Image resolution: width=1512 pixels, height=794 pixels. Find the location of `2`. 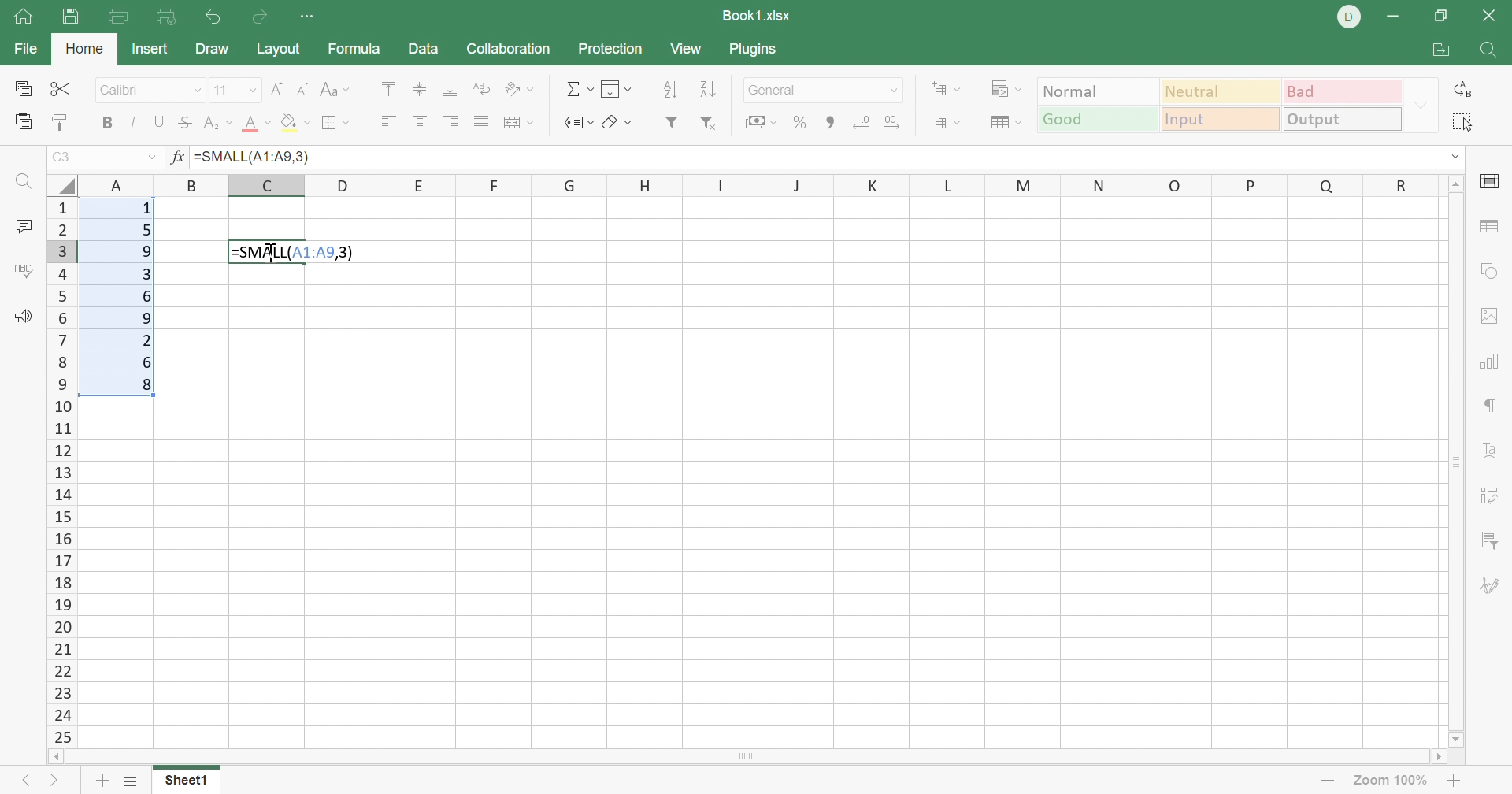

2 is located at coordinates (146, 340).